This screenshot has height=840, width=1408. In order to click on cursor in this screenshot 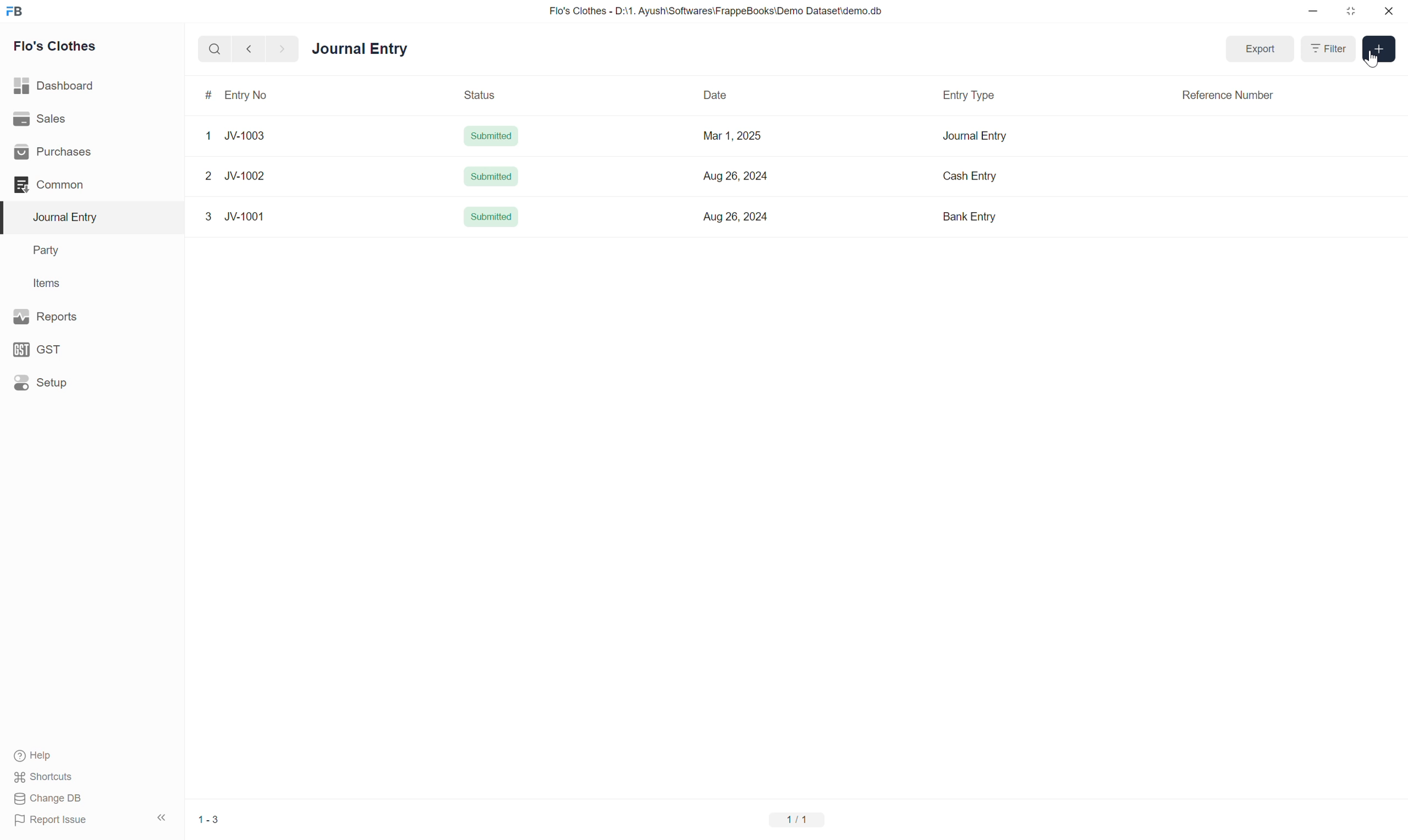, I will do `click(1374, 61)`.